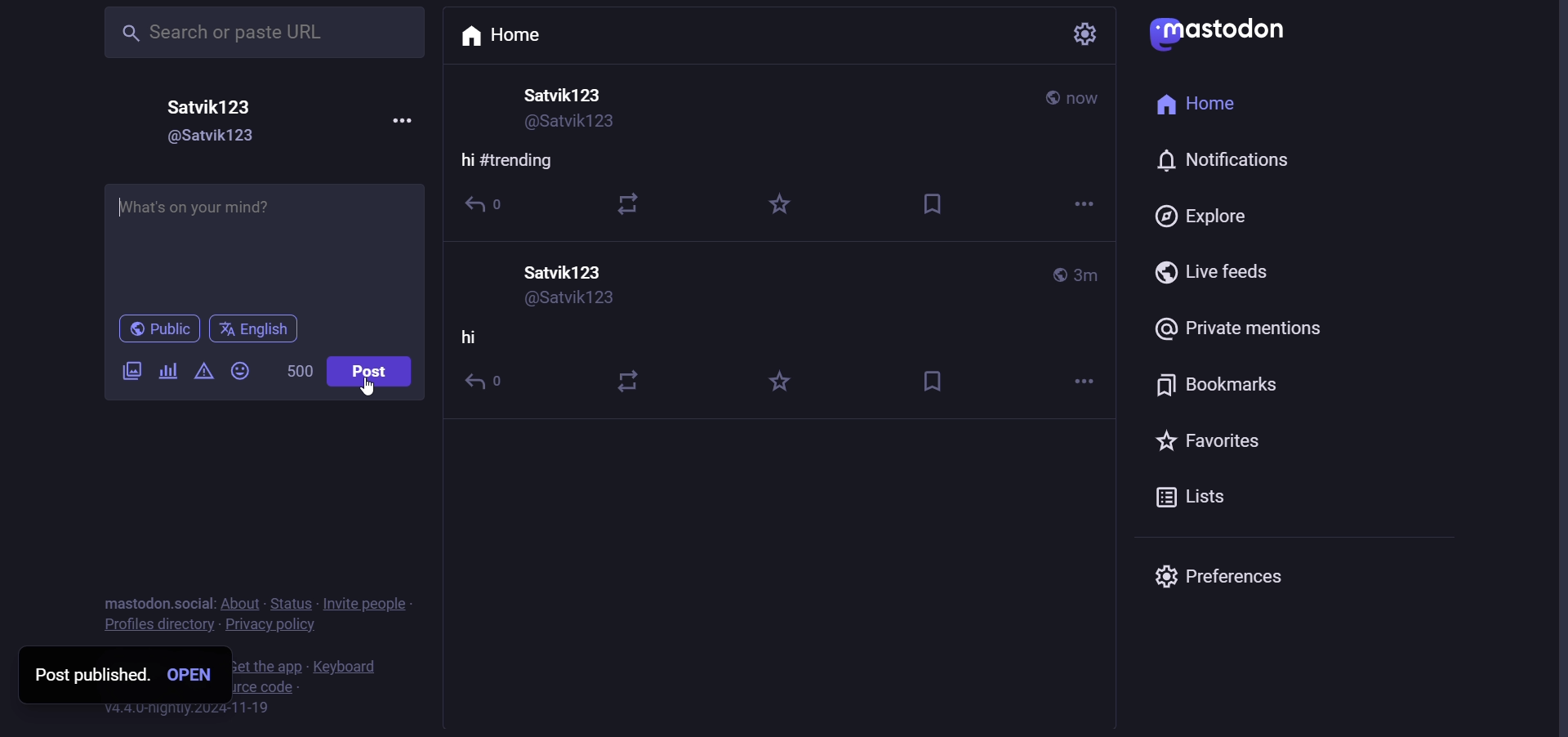 The height and width of the screenshot is (737, 1568). I want to click on open, so click(187, 674).